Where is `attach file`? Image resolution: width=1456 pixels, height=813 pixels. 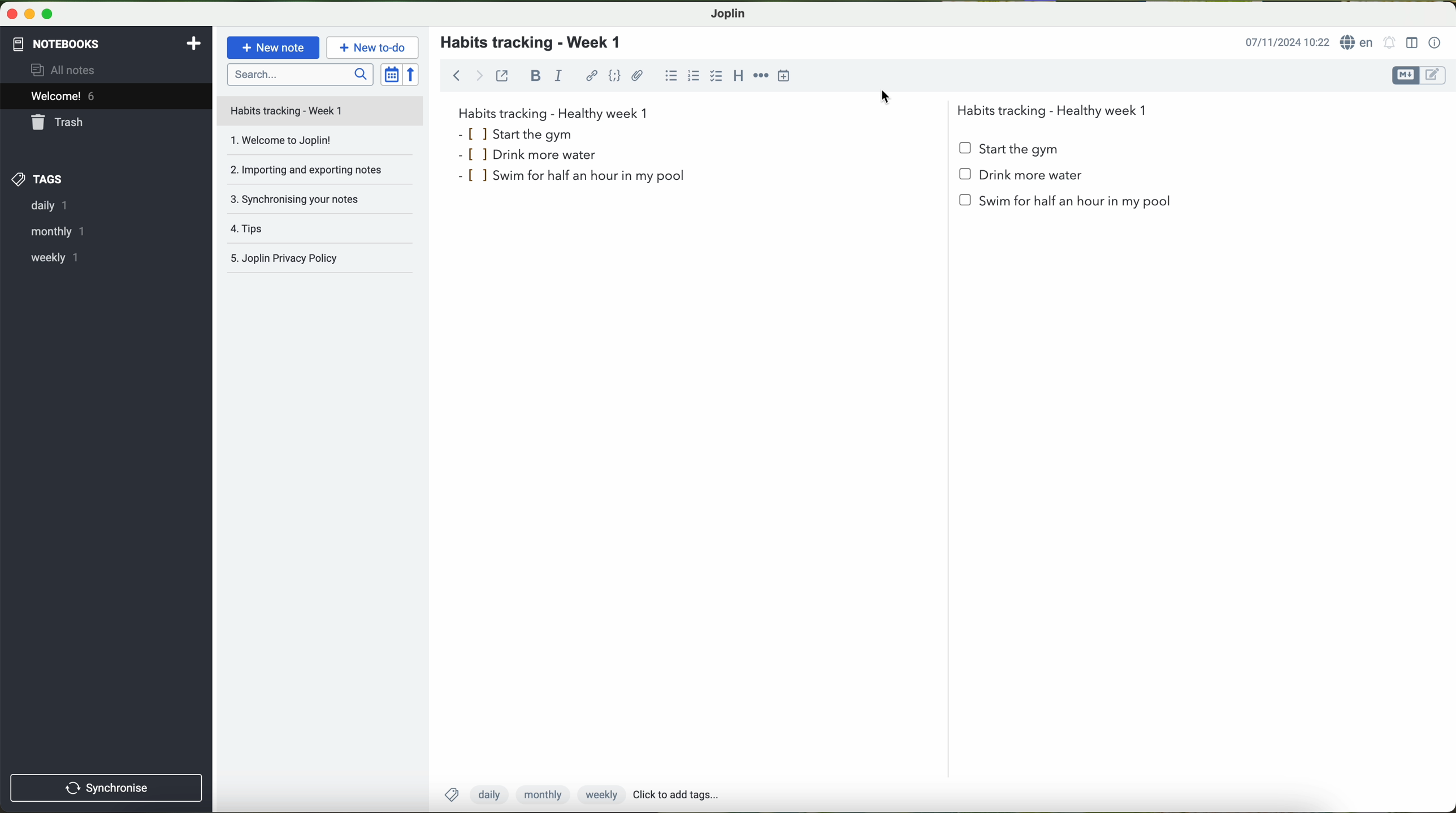 attach file is located at coordinates (638, 75).